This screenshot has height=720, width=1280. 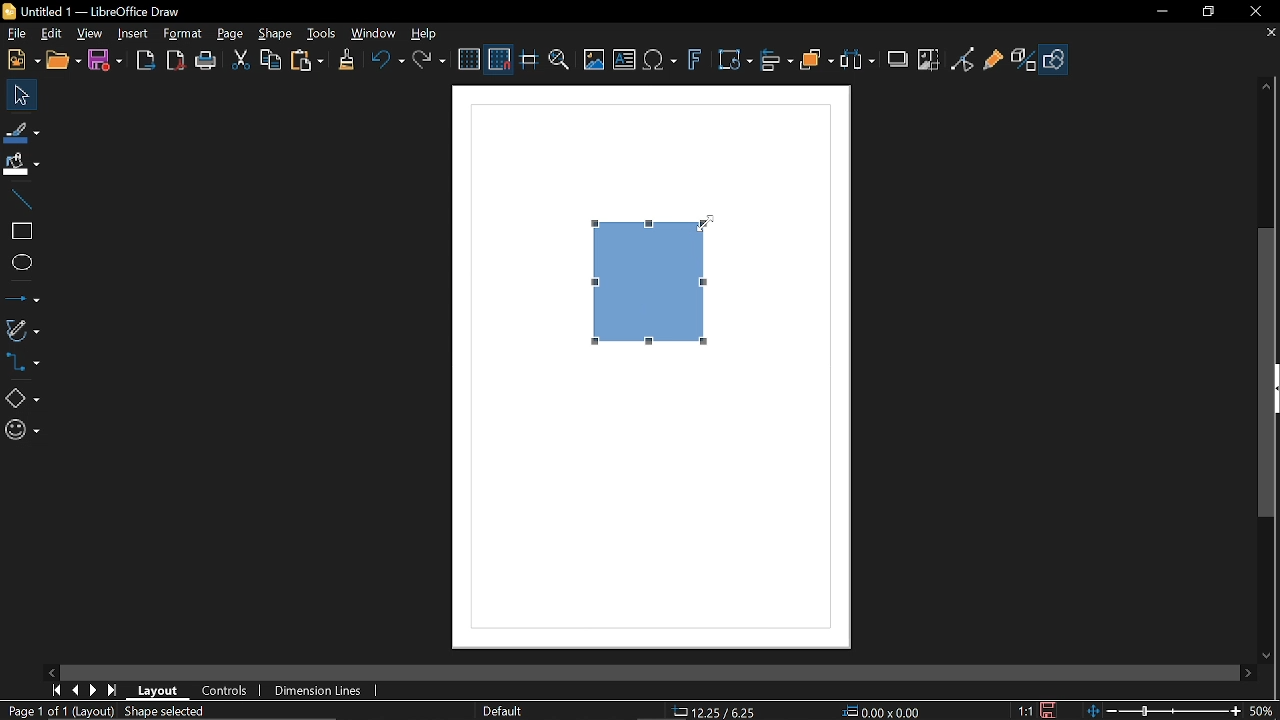 I want to click on Helplines while moving, so click(x=528, y=61).